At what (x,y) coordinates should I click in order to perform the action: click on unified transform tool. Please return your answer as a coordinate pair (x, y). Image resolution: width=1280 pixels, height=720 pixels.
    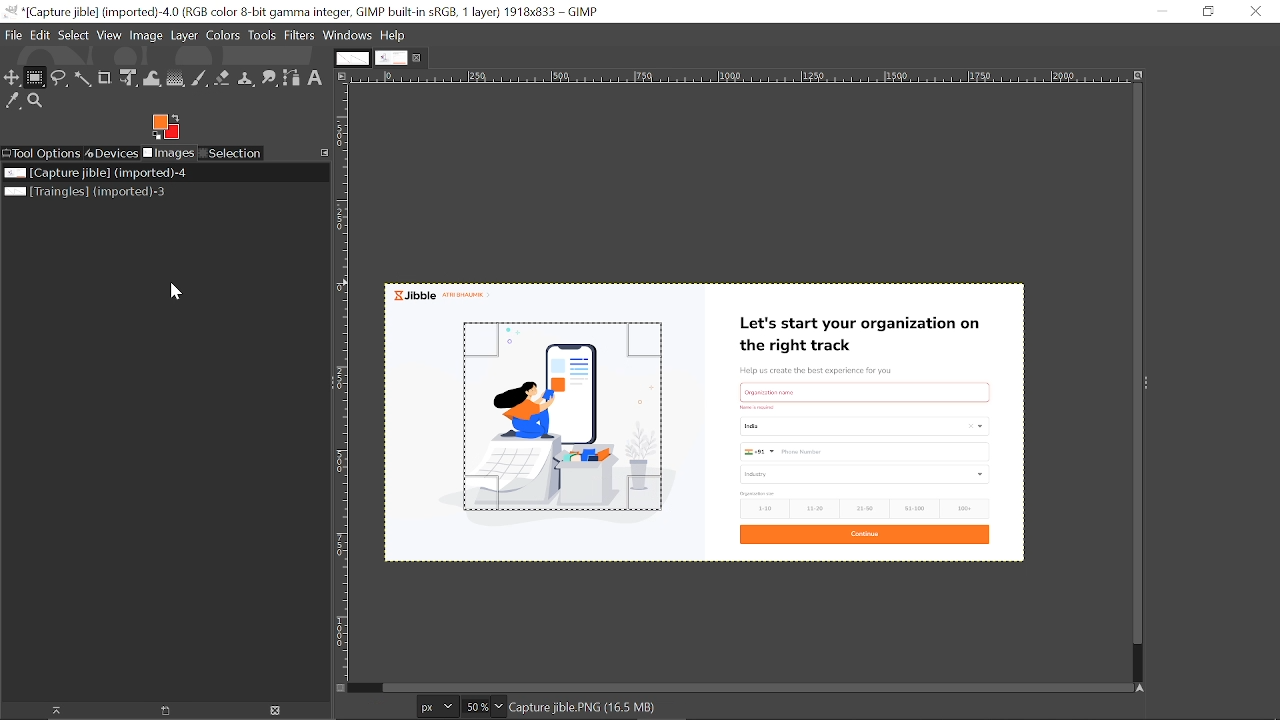
    Looking at the image, I should click on (126, 78).